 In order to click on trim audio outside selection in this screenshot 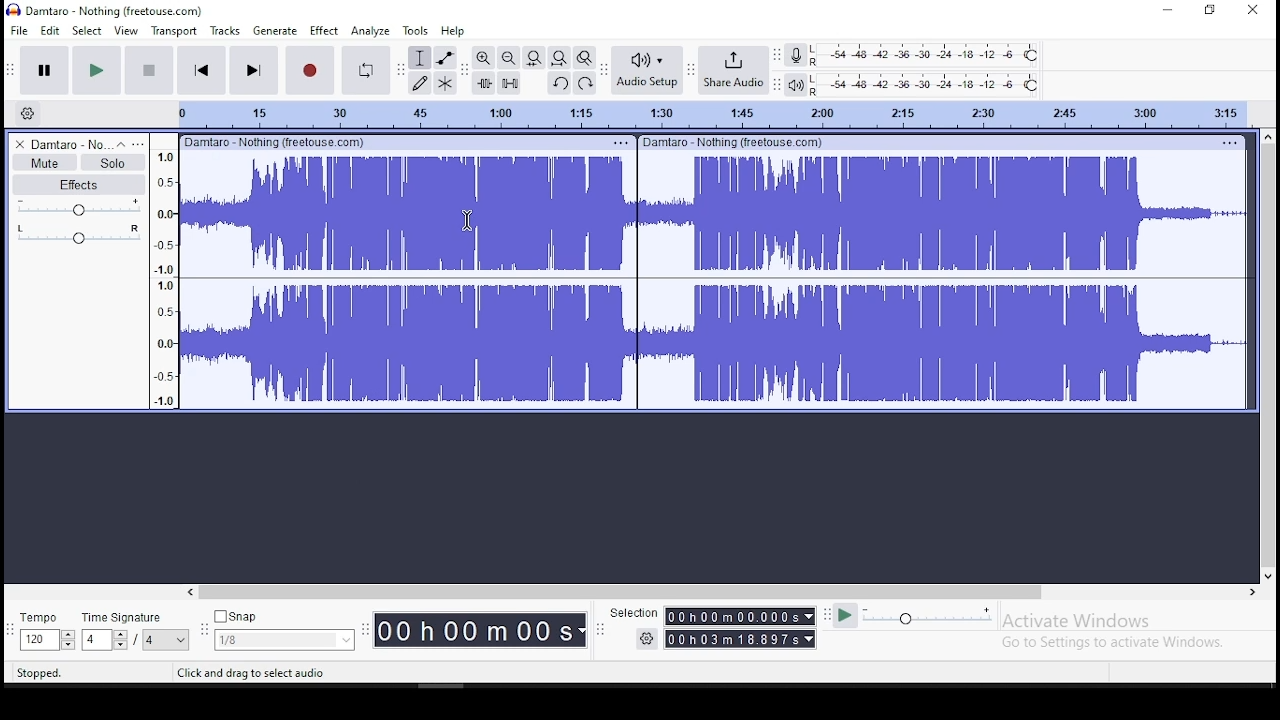, I will do `click(484, 83)`.